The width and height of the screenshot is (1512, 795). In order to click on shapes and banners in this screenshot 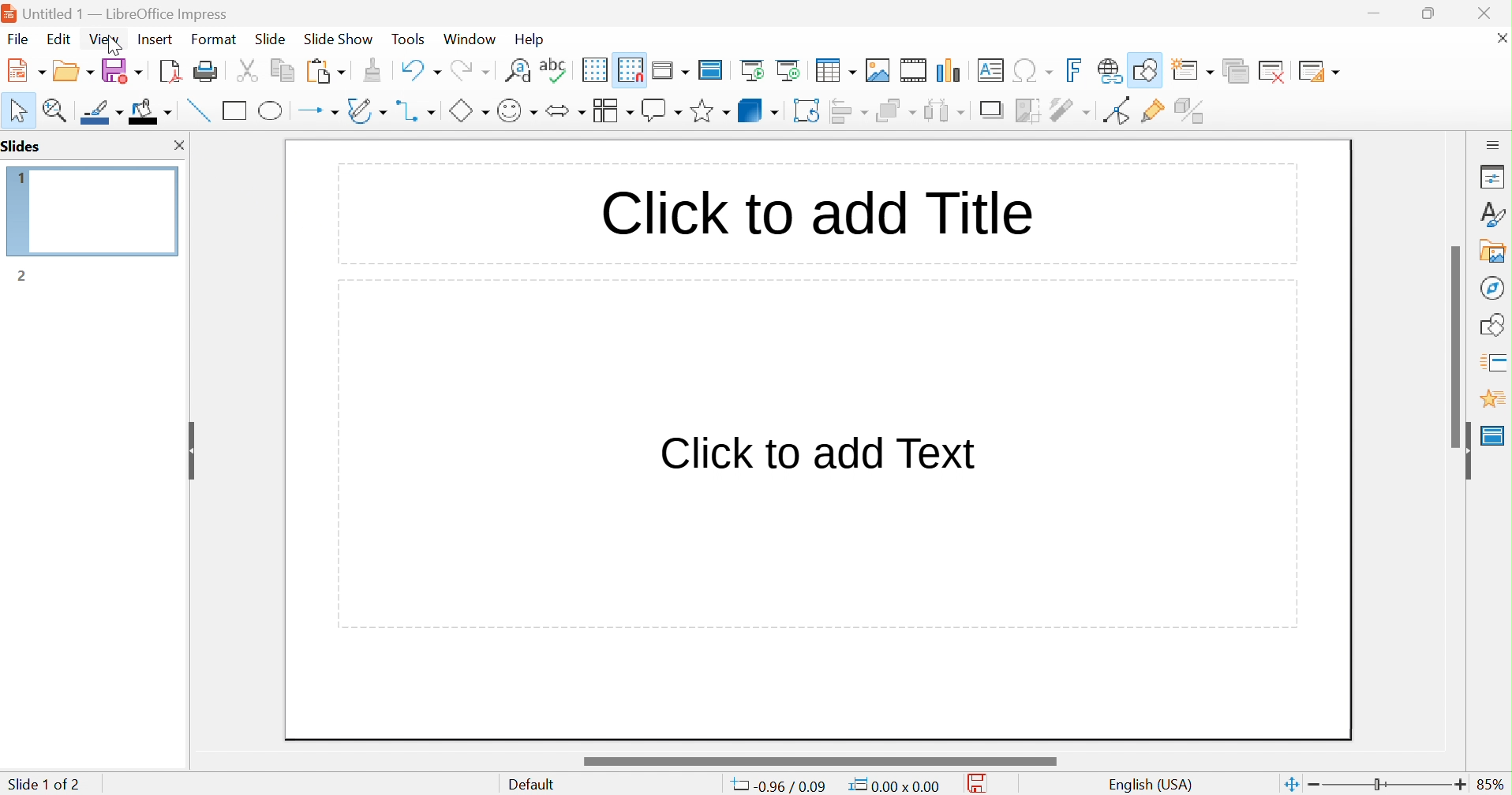, I will do `click(709, 111)`.